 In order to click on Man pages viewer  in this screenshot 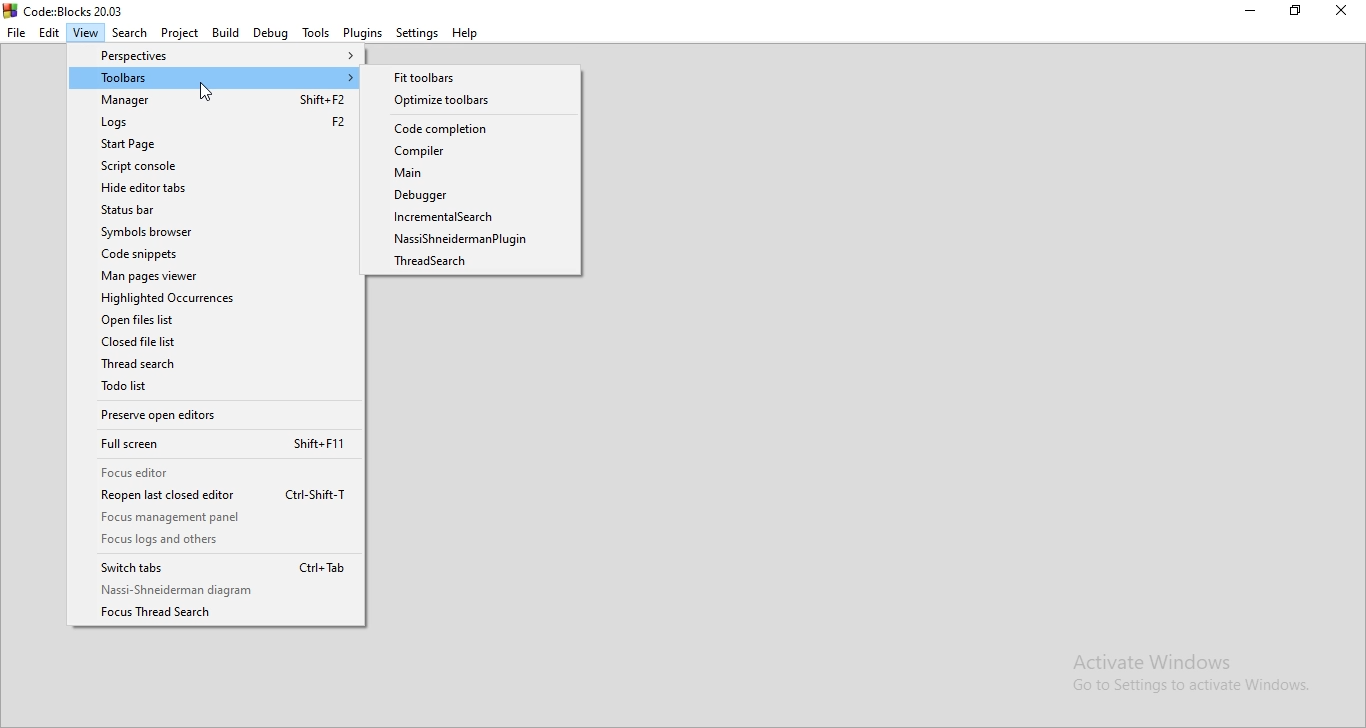, I will do `click(213, 275)`.